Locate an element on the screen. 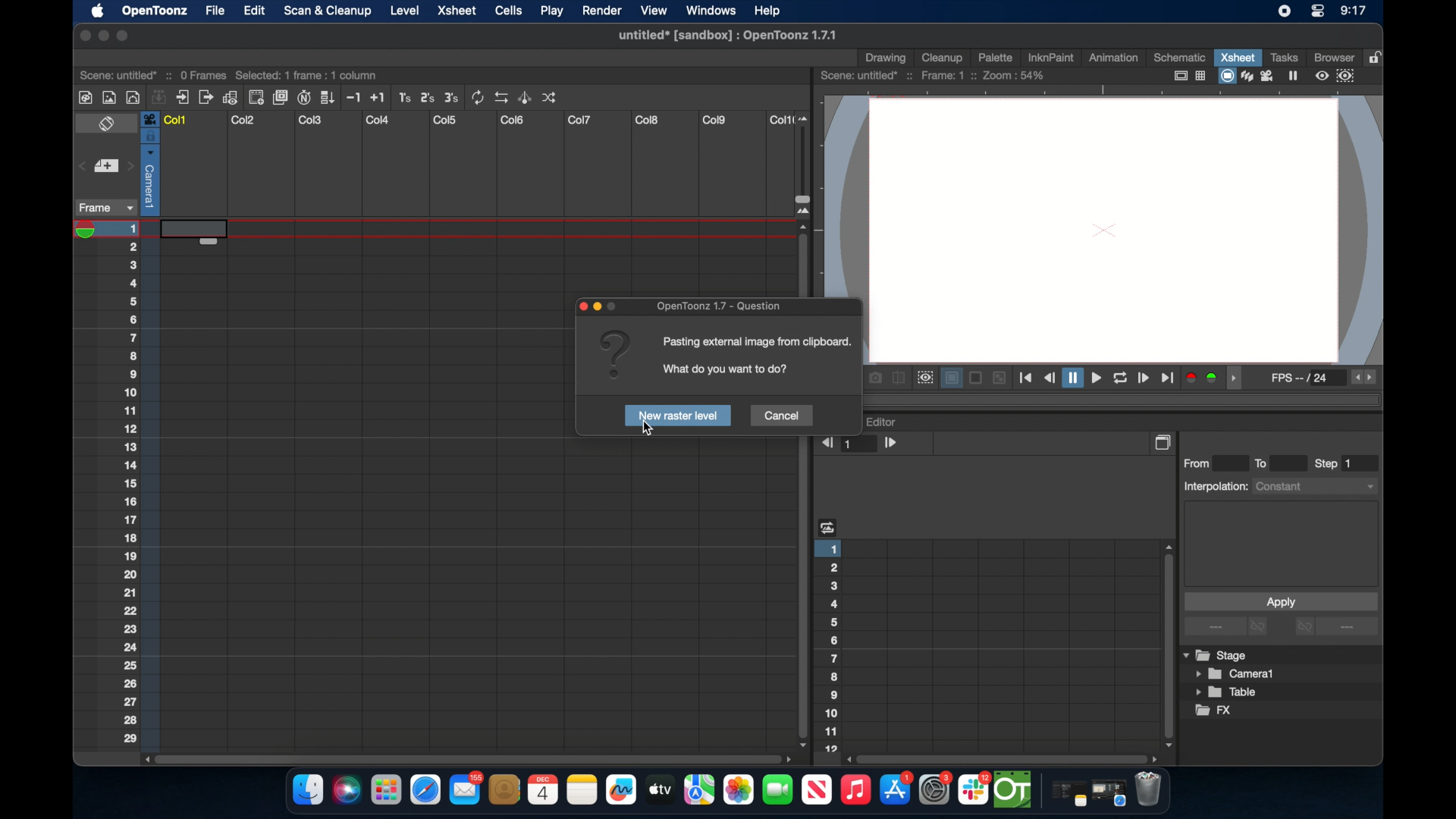 This screenshot has width=1456, height=819. compare to snapshot is located at coordinates (899, 378).